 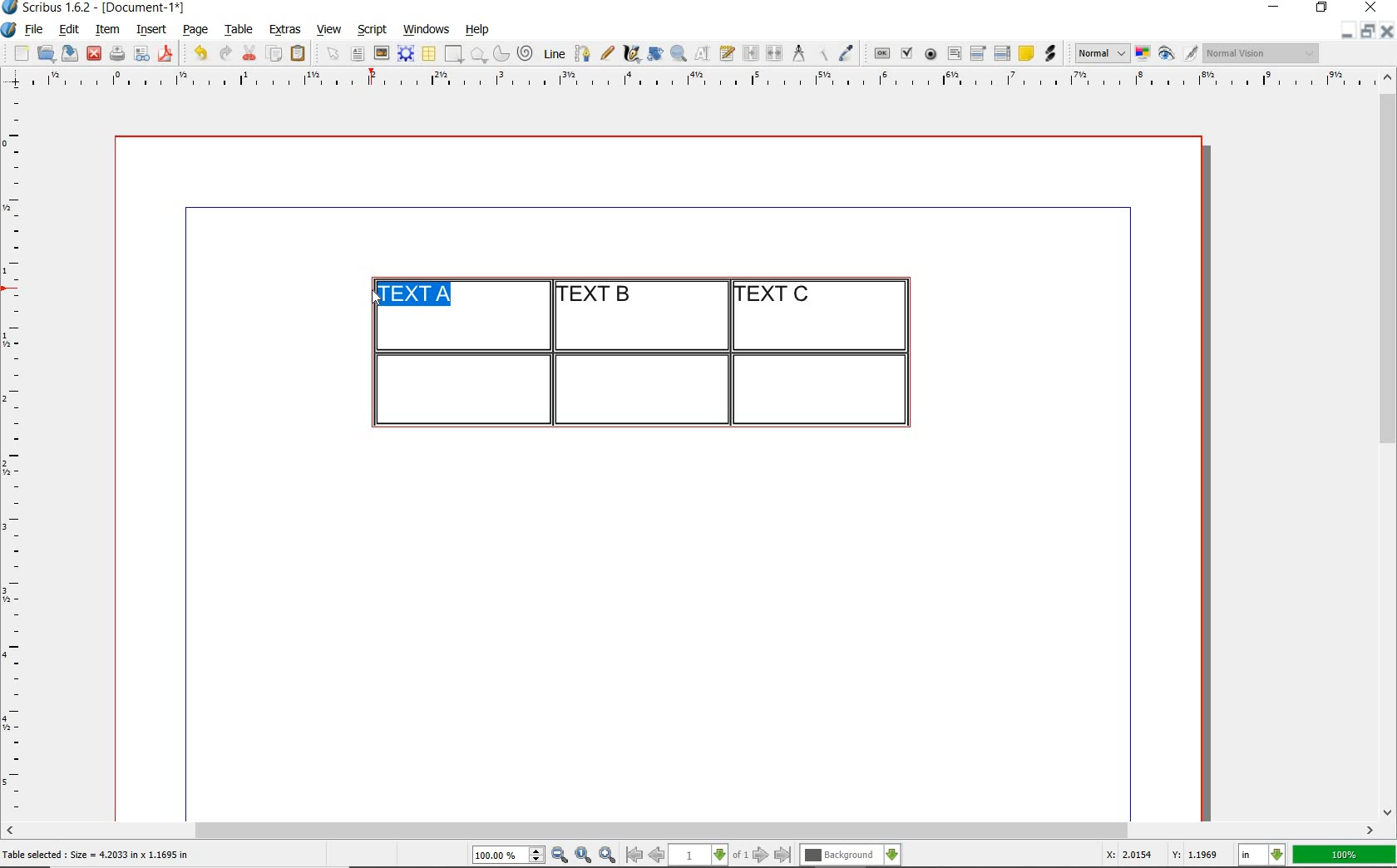 I want to click on paste, so click(x=301, y=54).